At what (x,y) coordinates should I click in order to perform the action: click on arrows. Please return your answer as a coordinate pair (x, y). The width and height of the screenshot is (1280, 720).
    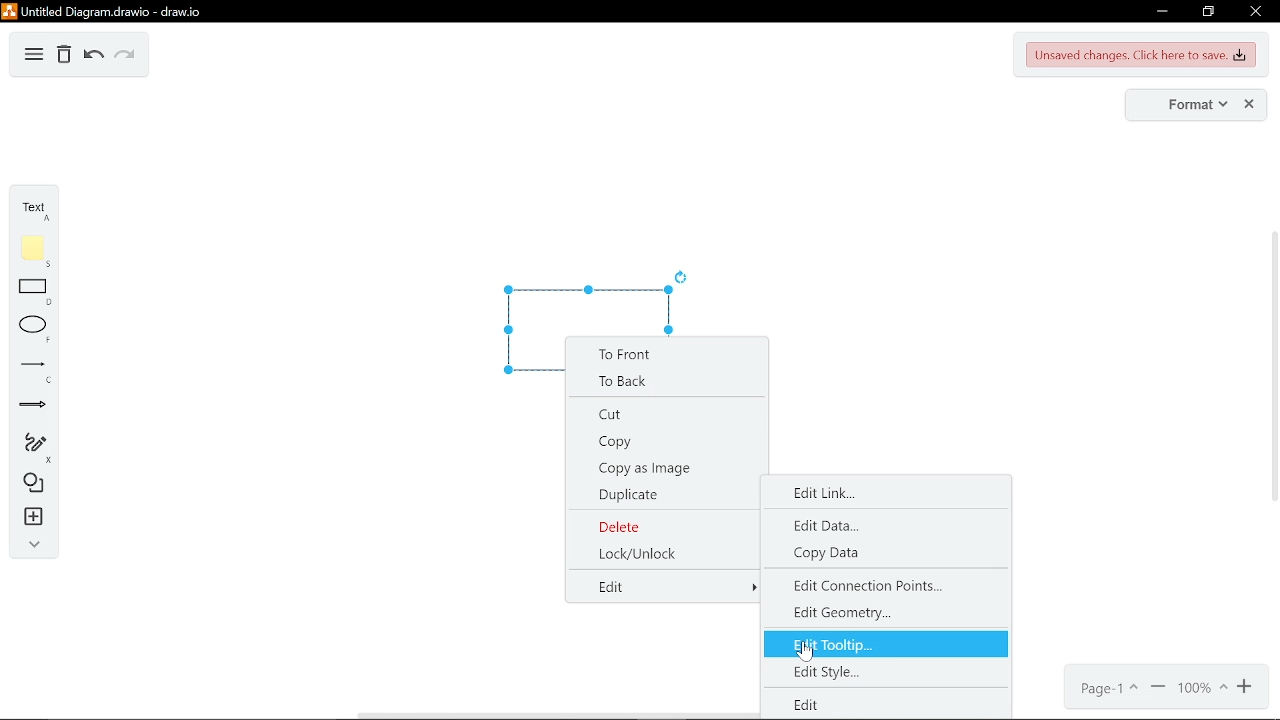
    Looking at the image, I should click on (34, 407).